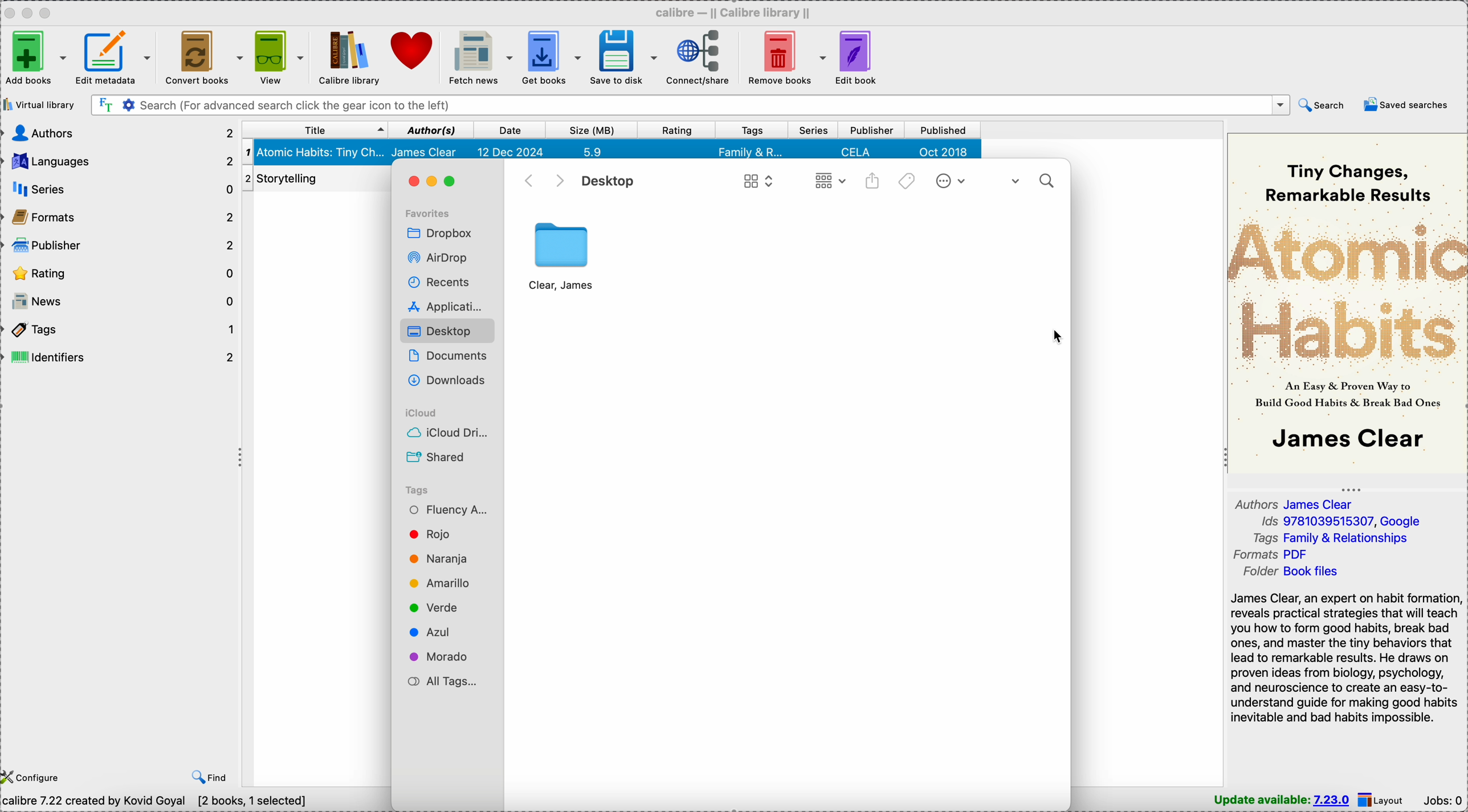 The width and height of the screenshot is (1468, 812). I want to click on Jobs: 0, so click(1442, 799).